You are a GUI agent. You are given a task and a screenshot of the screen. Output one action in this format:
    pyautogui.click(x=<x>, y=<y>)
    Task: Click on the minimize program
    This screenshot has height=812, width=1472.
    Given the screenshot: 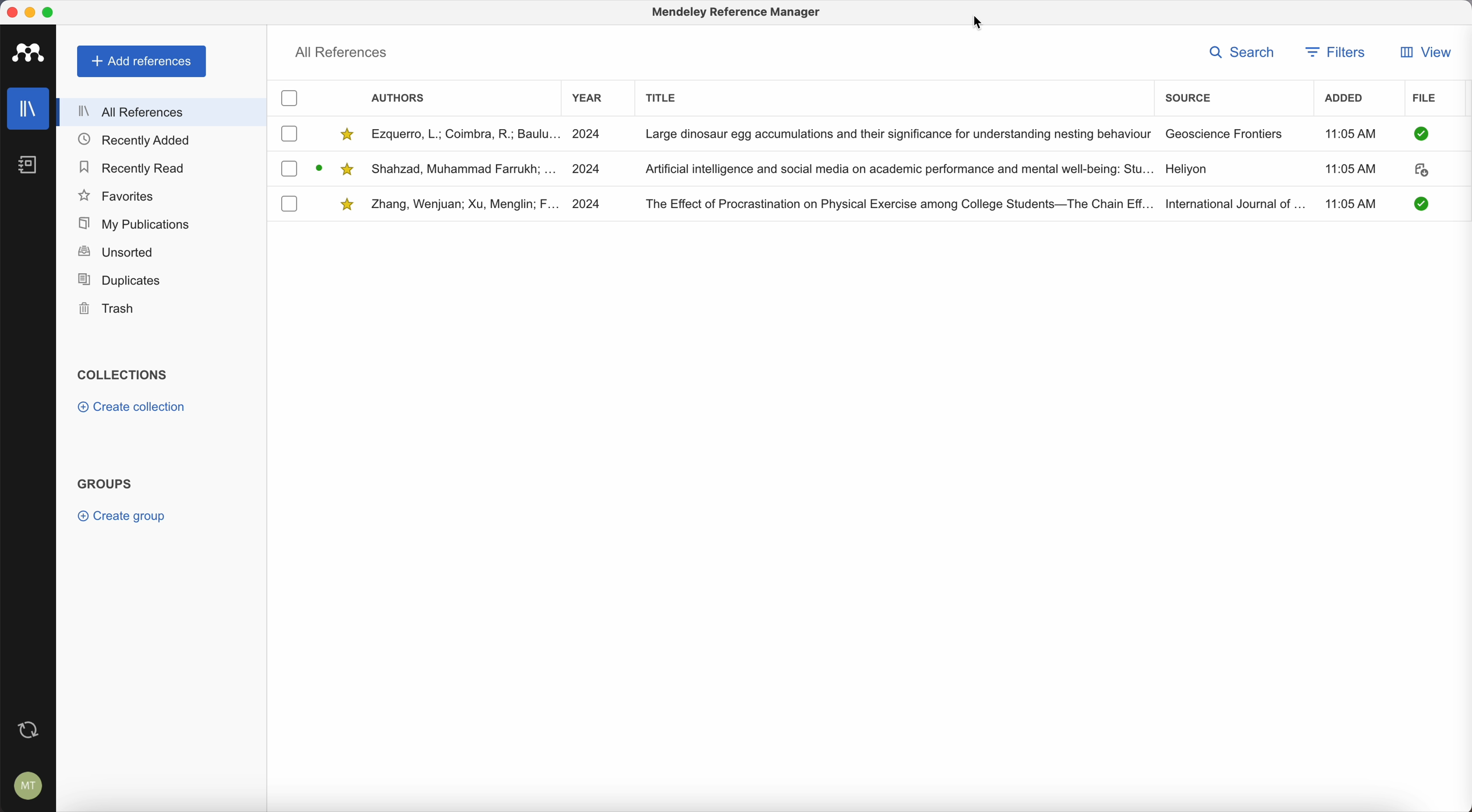 What is the action you would take?
    pyautogui.click(x=30, y=11)
    